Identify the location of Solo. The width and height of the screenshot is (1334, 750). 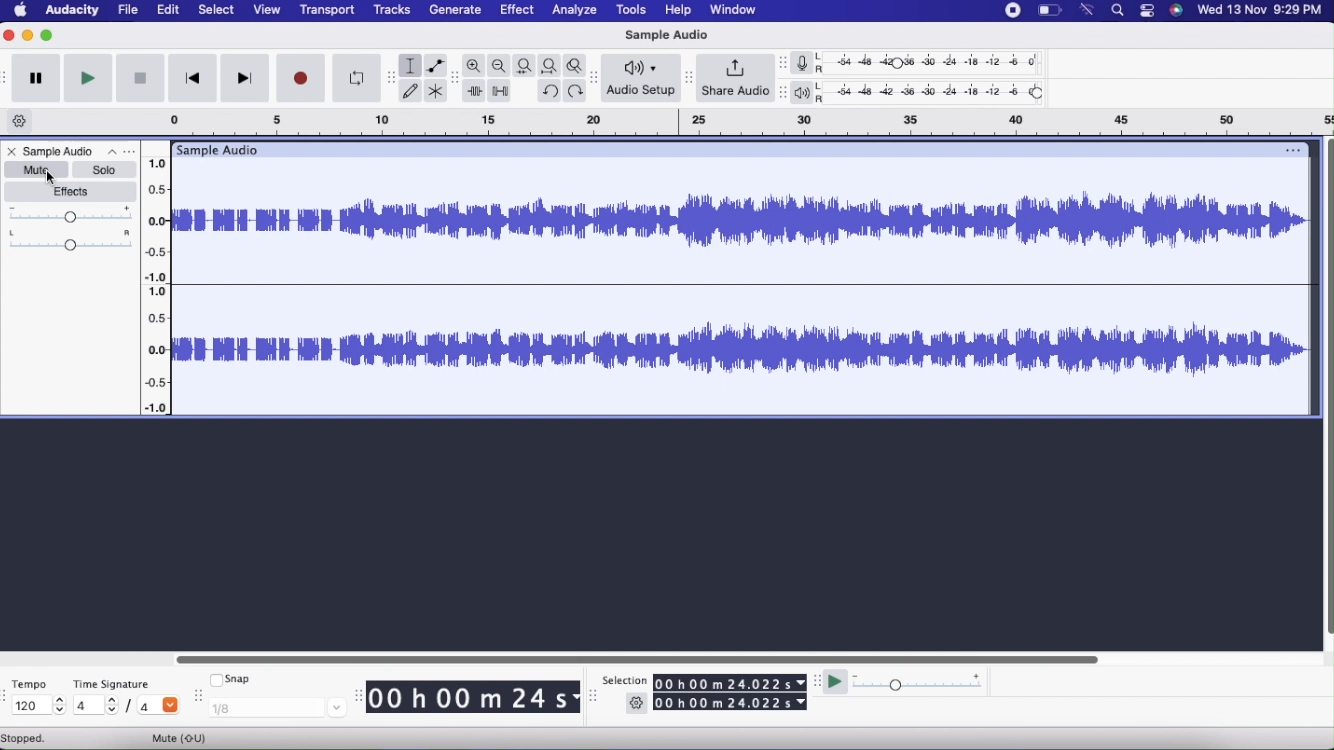
(101, 169).